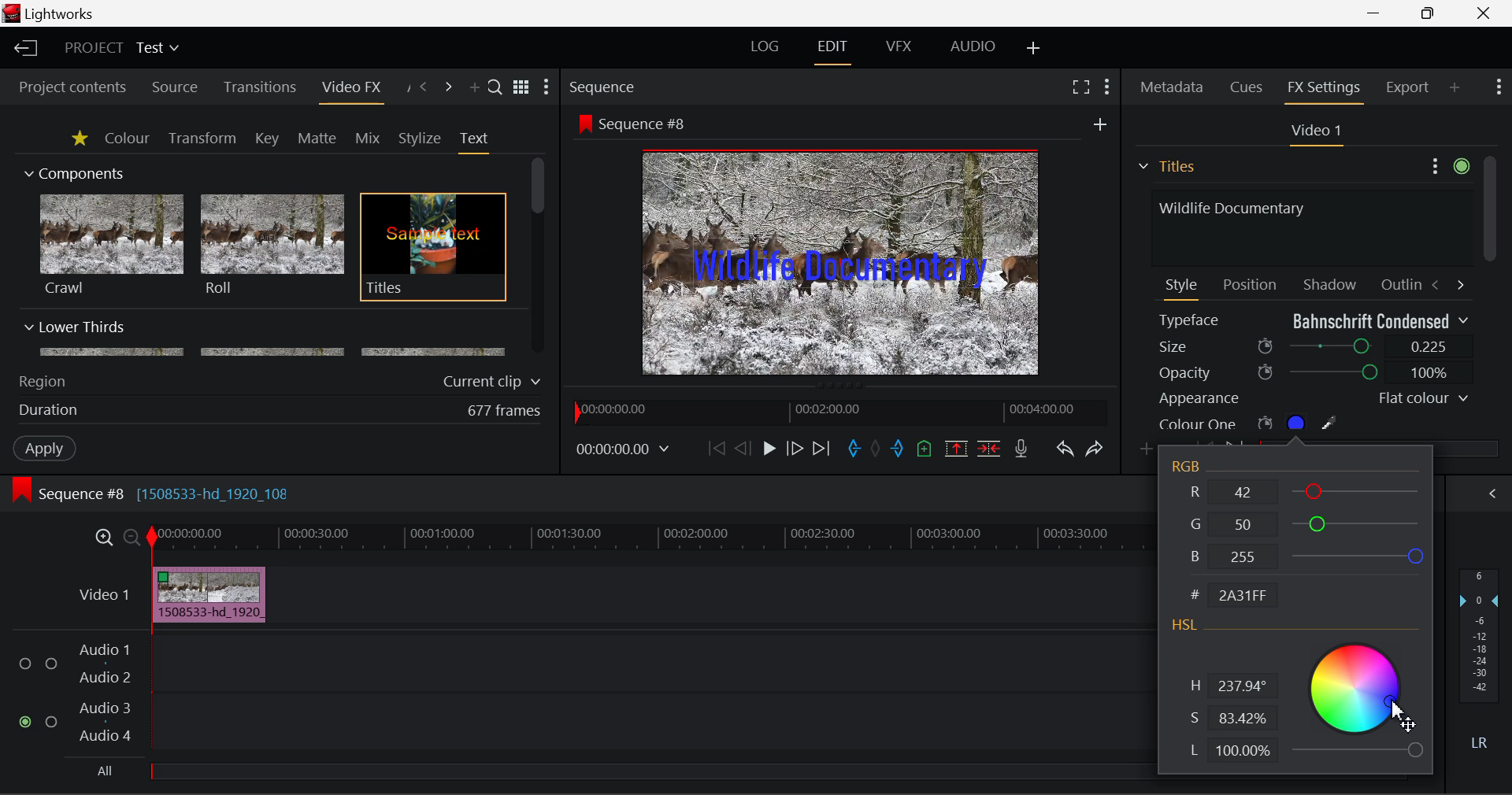 This screenshot has height=795, width=1512. Describe the element at coordinates (24, 49) in the screenshot. I see `Back to Homepage` at that location.